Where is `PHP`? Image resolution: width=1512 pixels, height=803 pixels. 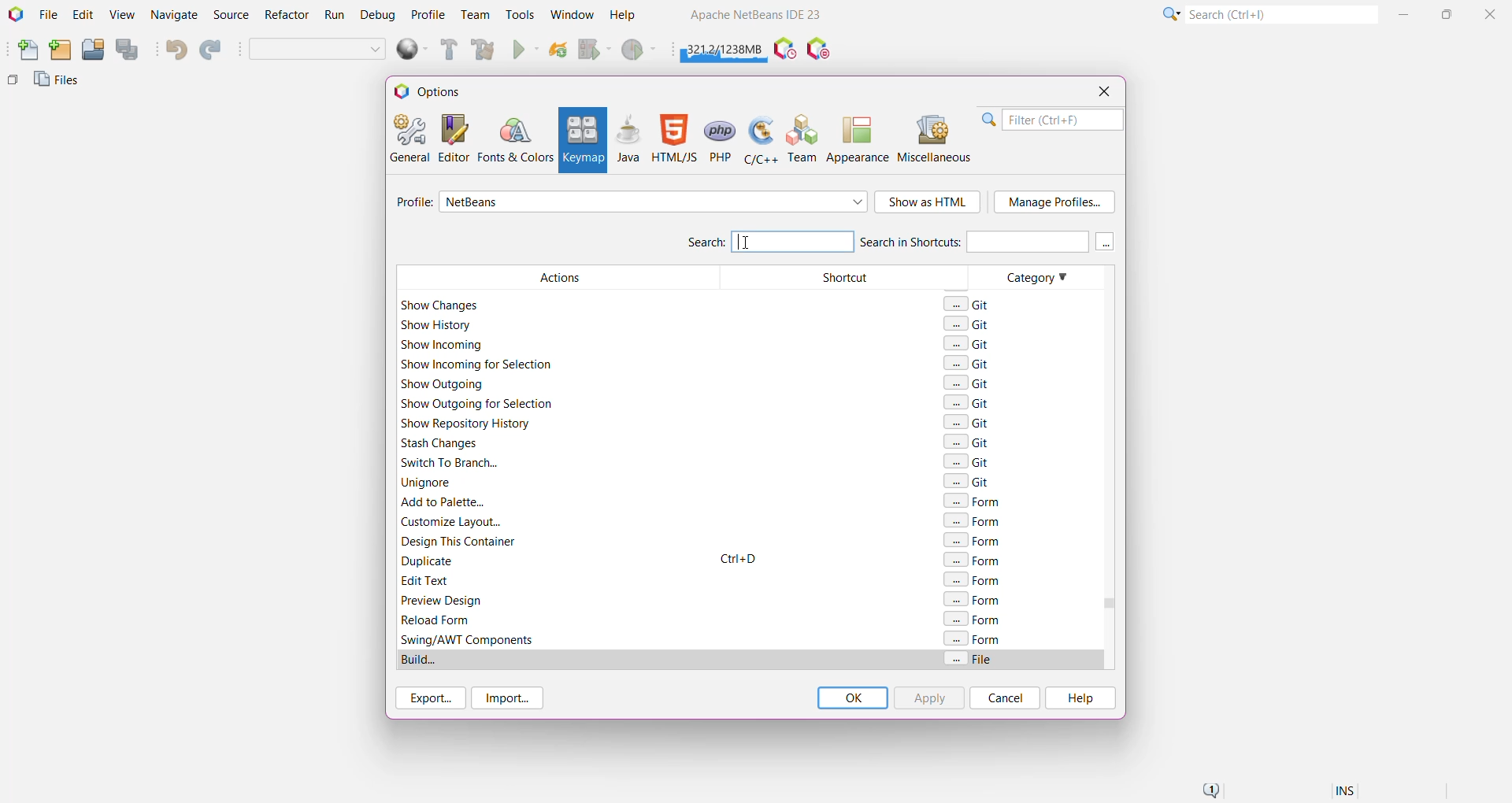 PHP is located at coordinates (721, 139).